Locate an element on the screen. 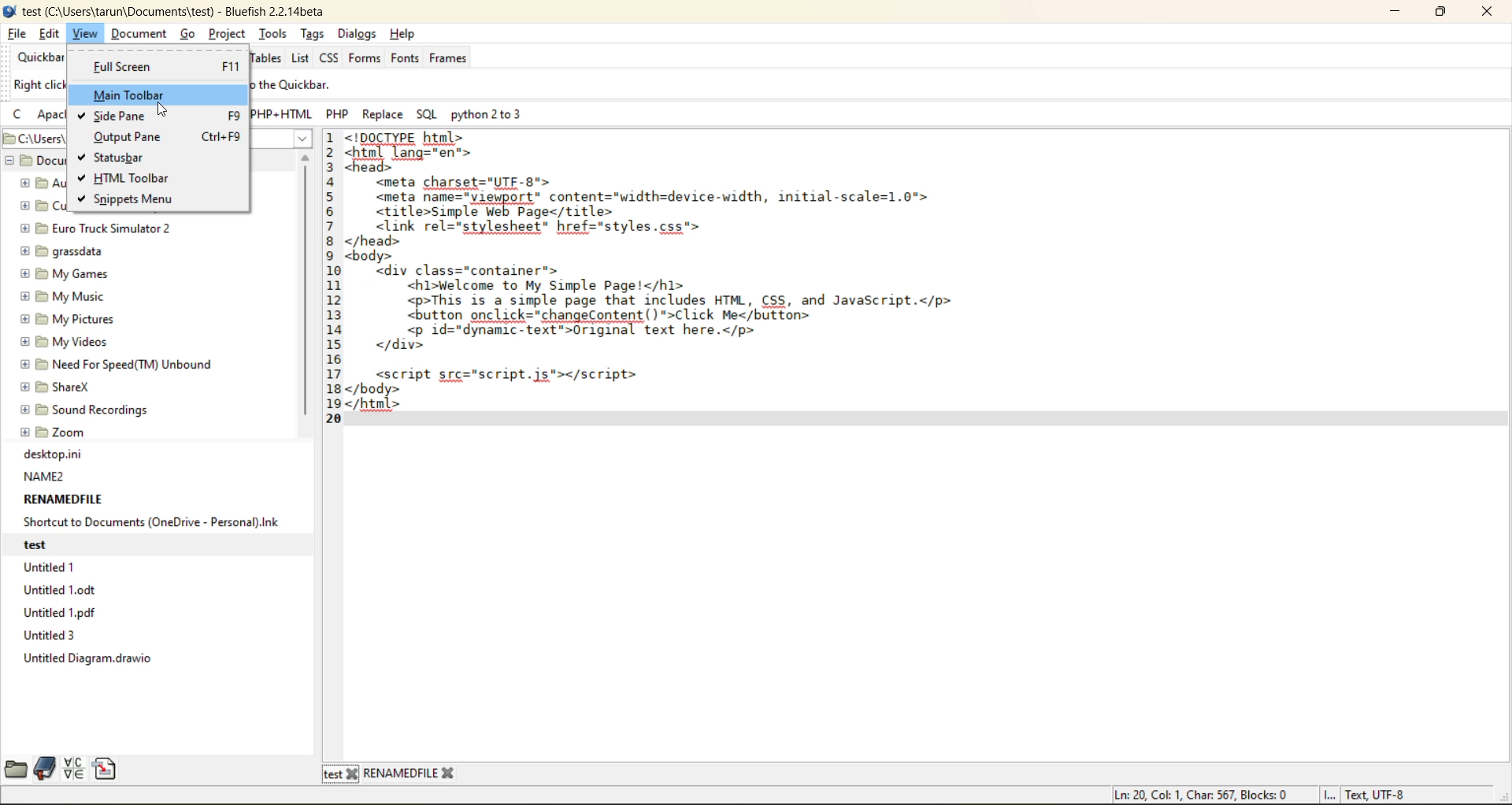 The height and width of the screenshot is (805, 1512). show more is located at coordinates (296, 139).